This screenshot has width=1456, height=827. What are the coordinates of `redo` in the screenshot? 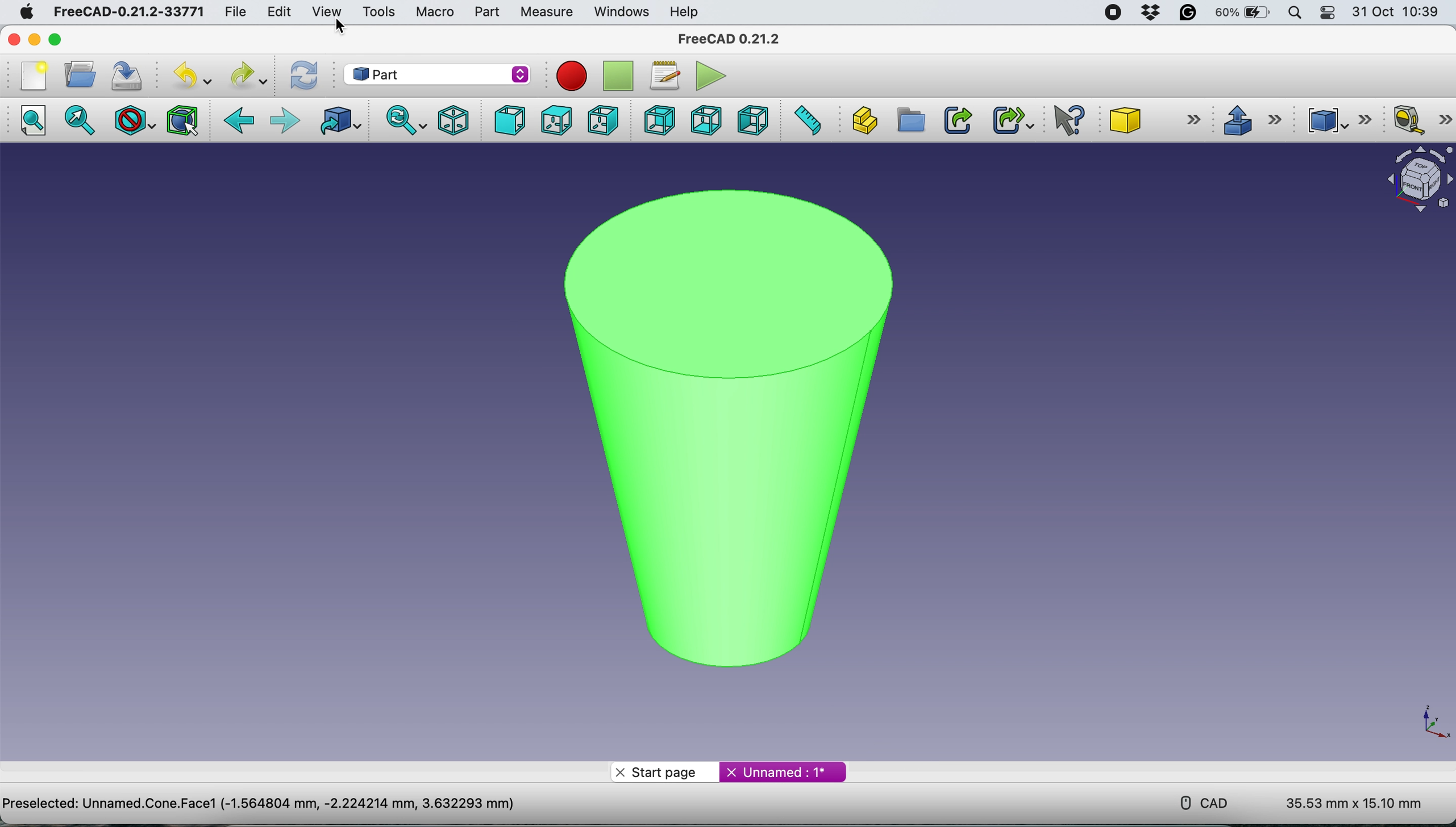 It's located at (247, 75).